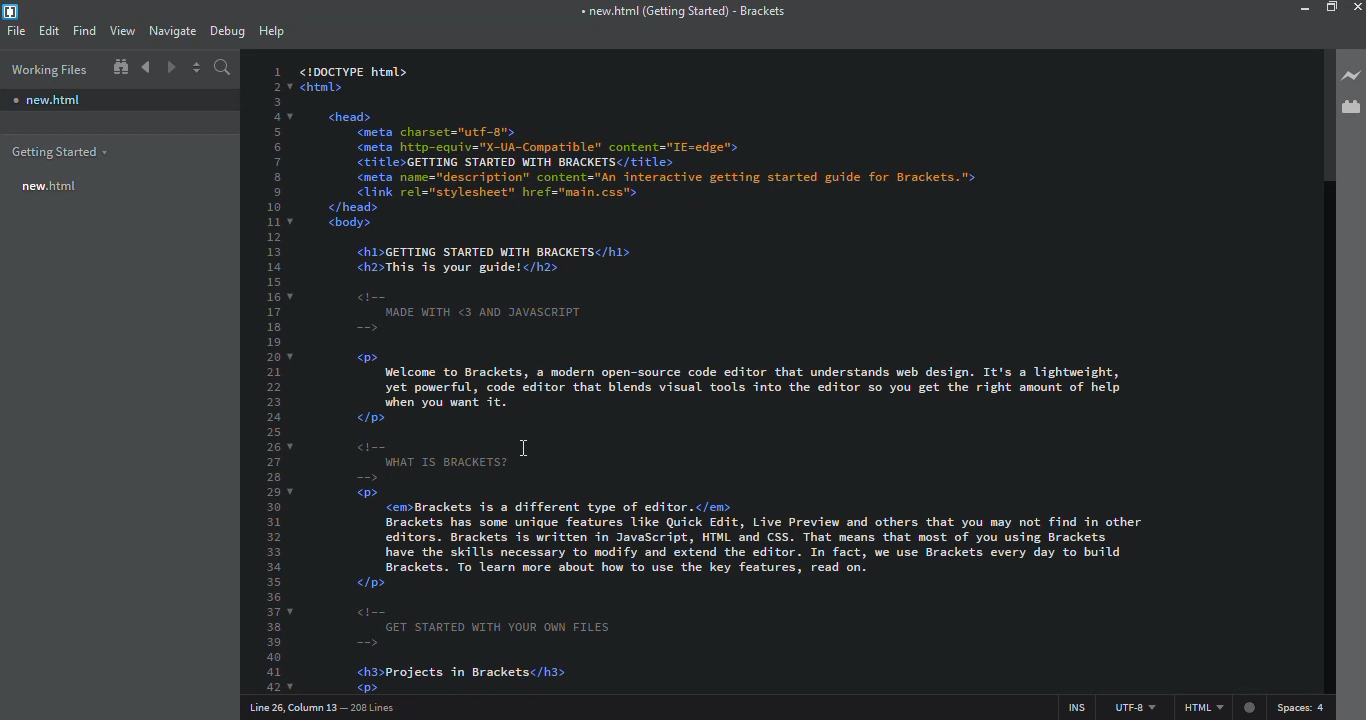 The height and width of the screenshot is (720, 1366). I want to click on extension manager, so click(1348, 105).